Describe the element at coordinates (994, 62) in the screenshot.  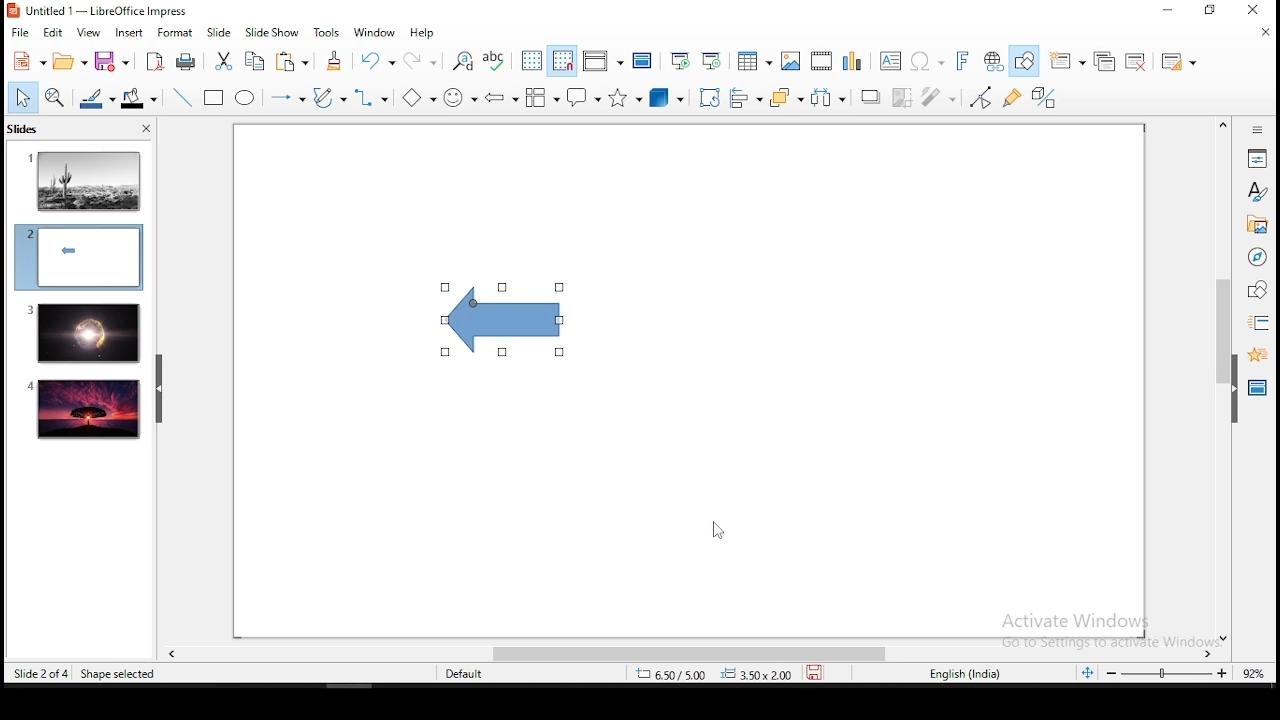
I see `hyperlink` at that location.